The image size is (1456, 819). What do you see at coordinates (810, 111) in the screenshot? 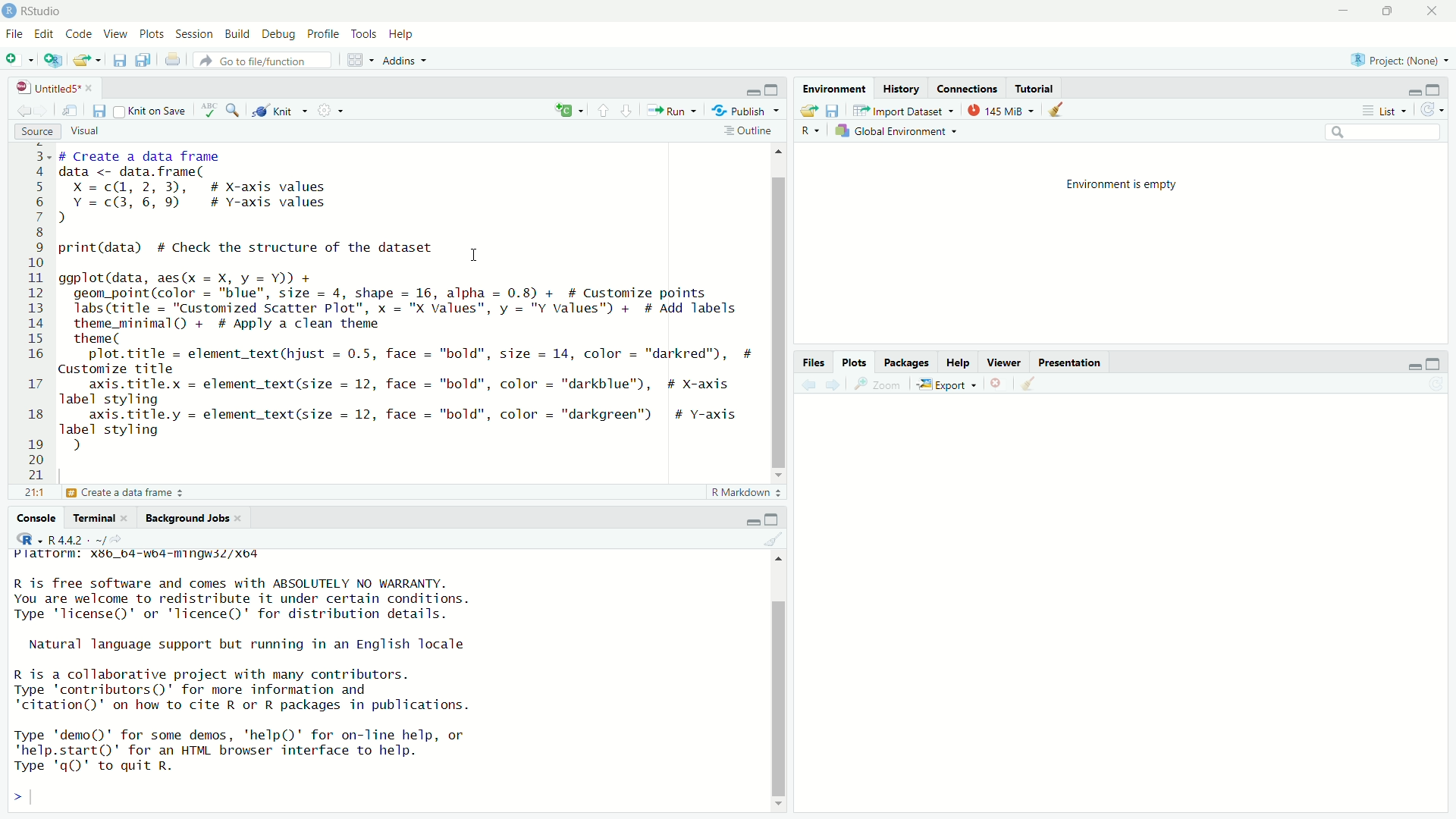
I see `Load Workspace` at bounding box center [810, 111].